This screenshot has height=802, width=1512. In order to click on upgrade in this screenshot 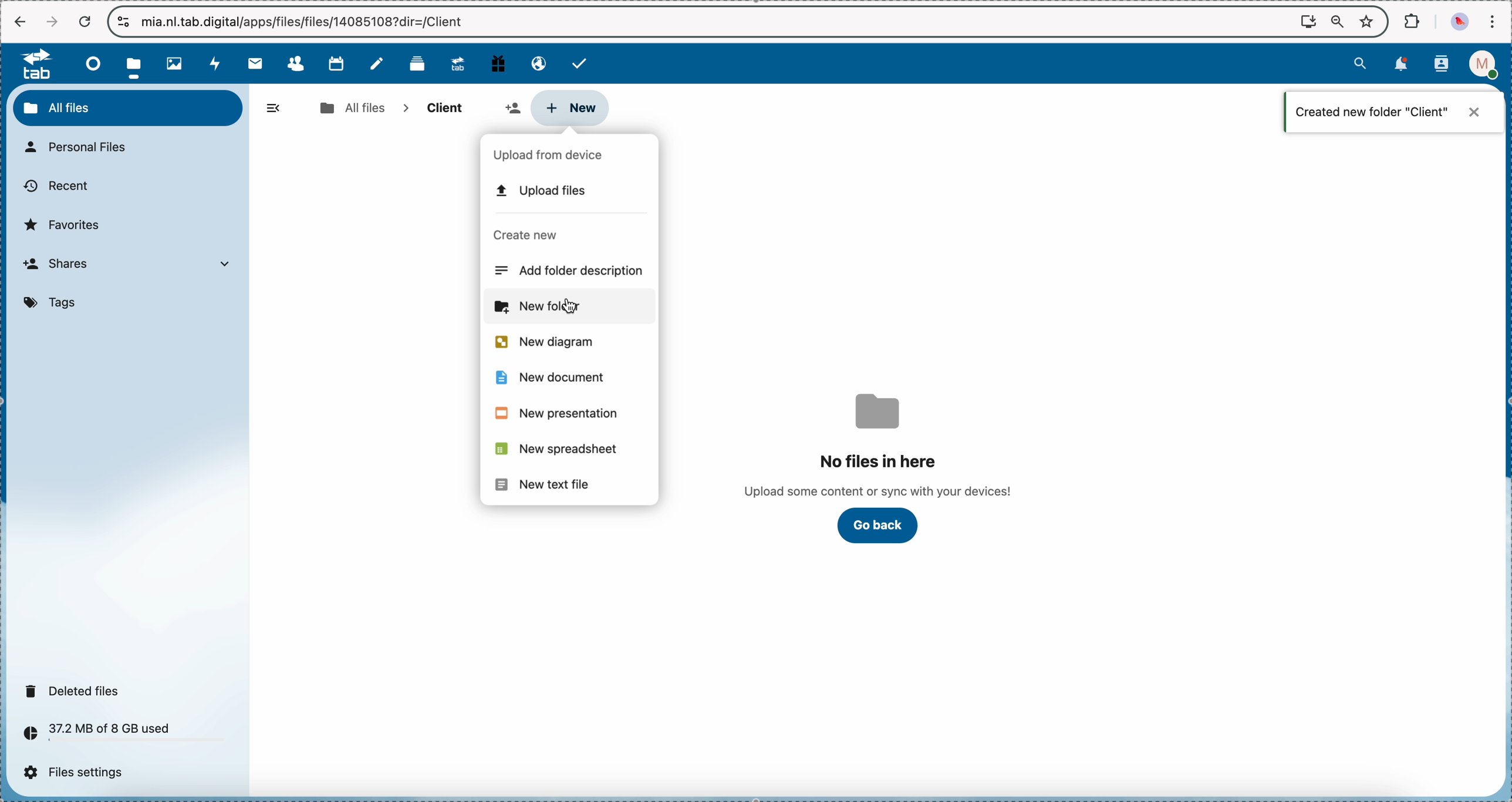, I will do `click(458, 63)`.